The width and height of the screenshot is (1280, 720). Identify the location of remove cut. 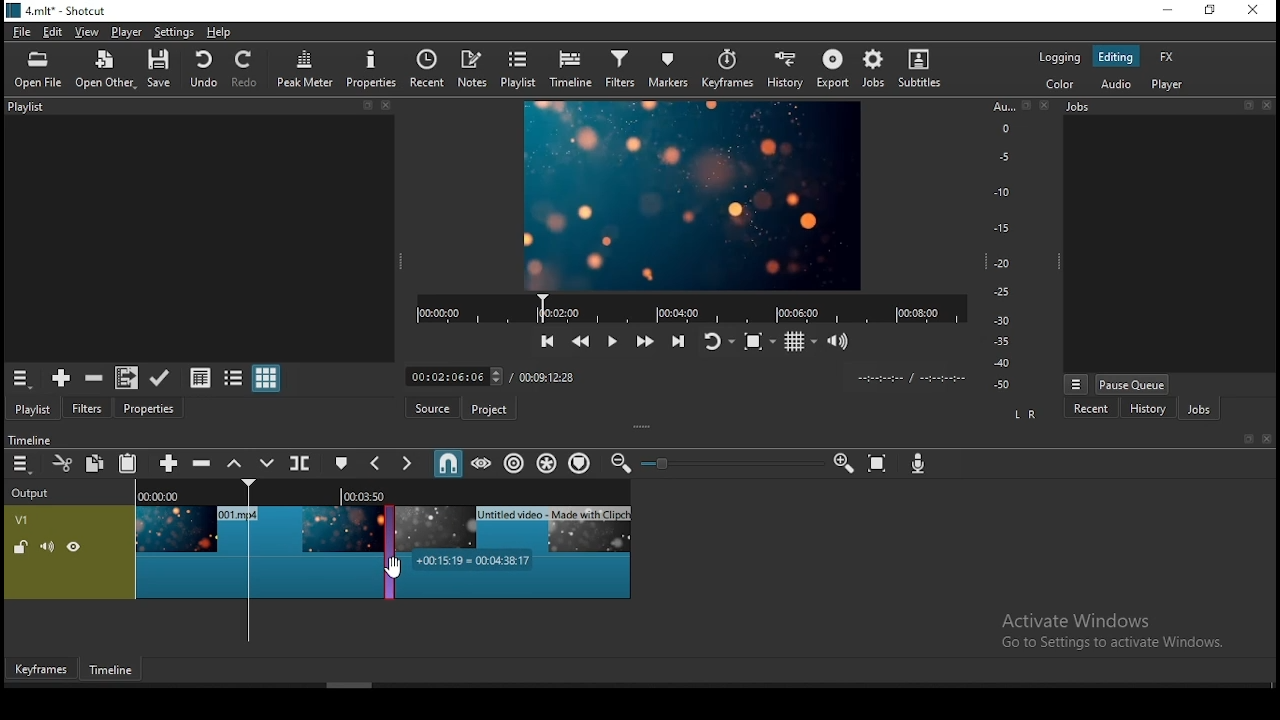
(94, 378).